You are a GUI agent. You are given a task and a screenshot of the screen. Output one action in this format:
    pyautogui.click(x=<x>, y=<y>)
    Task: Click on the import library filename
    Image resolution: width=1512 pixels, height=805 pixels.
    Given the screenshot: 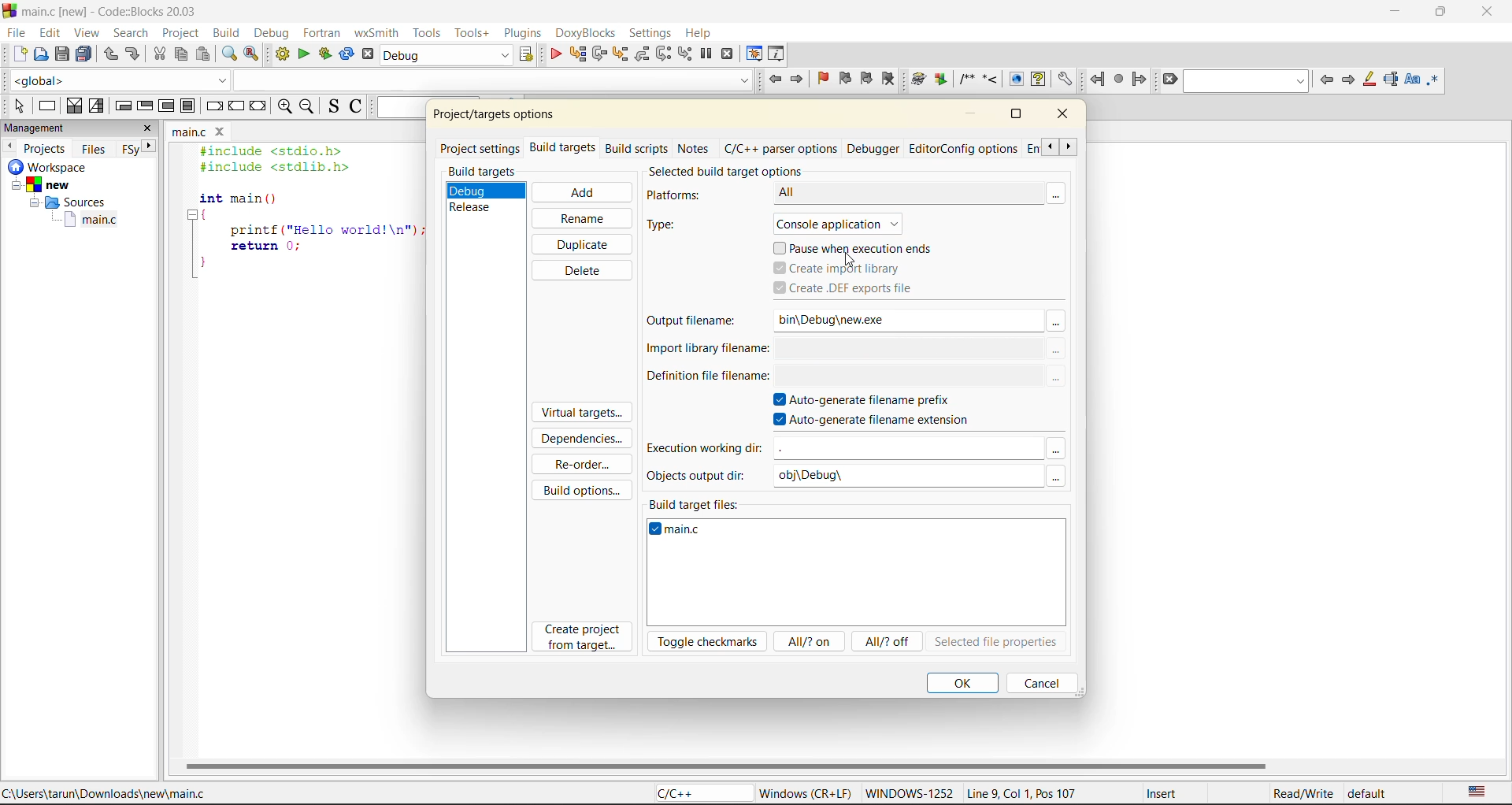 What is the action you would take?
    pyautogui.click(x=703, y=352)
    